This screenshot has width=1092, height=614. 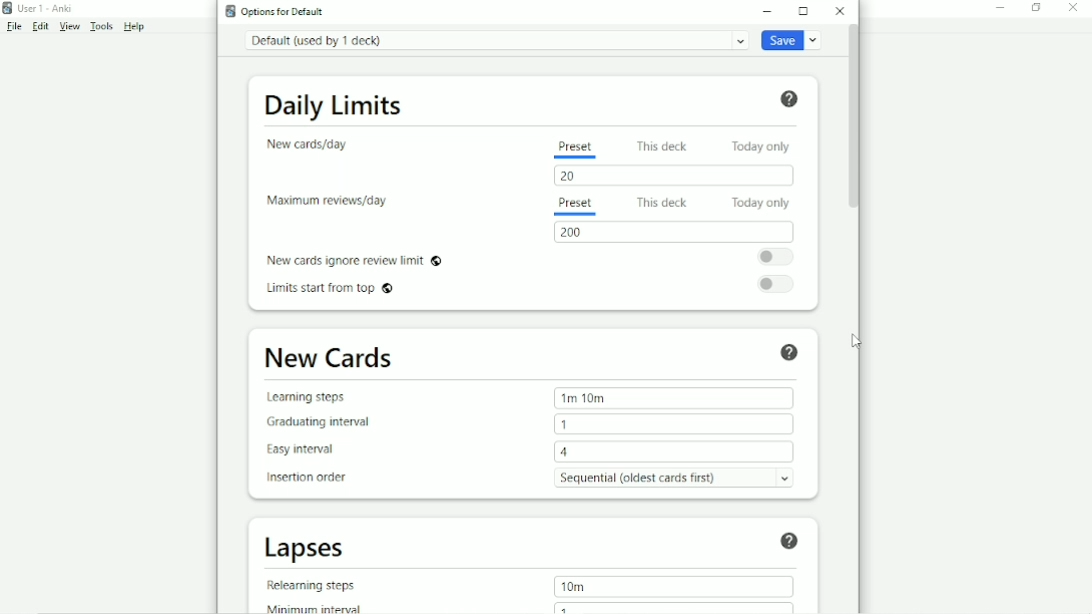 What do you see at coordinates (45, 8) in the screenshot?
I see `User 1 - Anki` at bounding box center [45, 8].